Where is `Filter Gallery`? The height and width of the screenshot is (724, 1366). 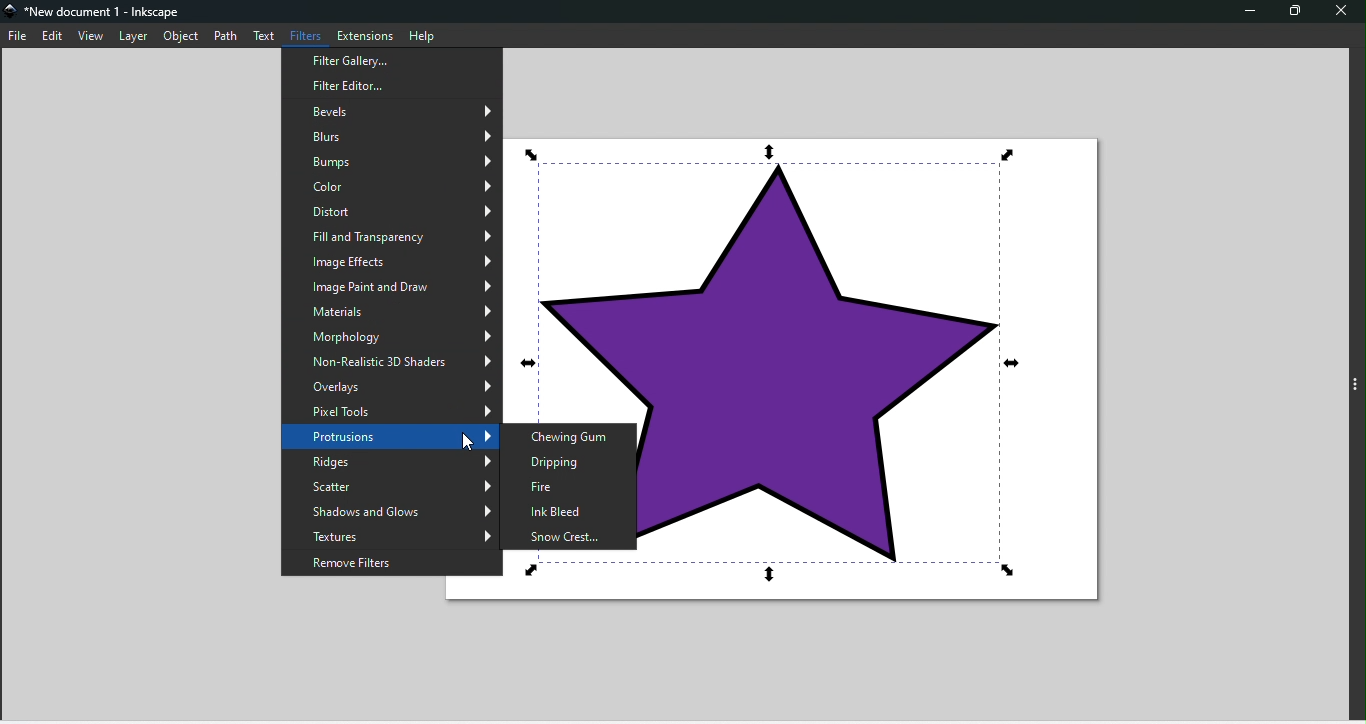 Filter Gallery is located at coordinates (392, 59).